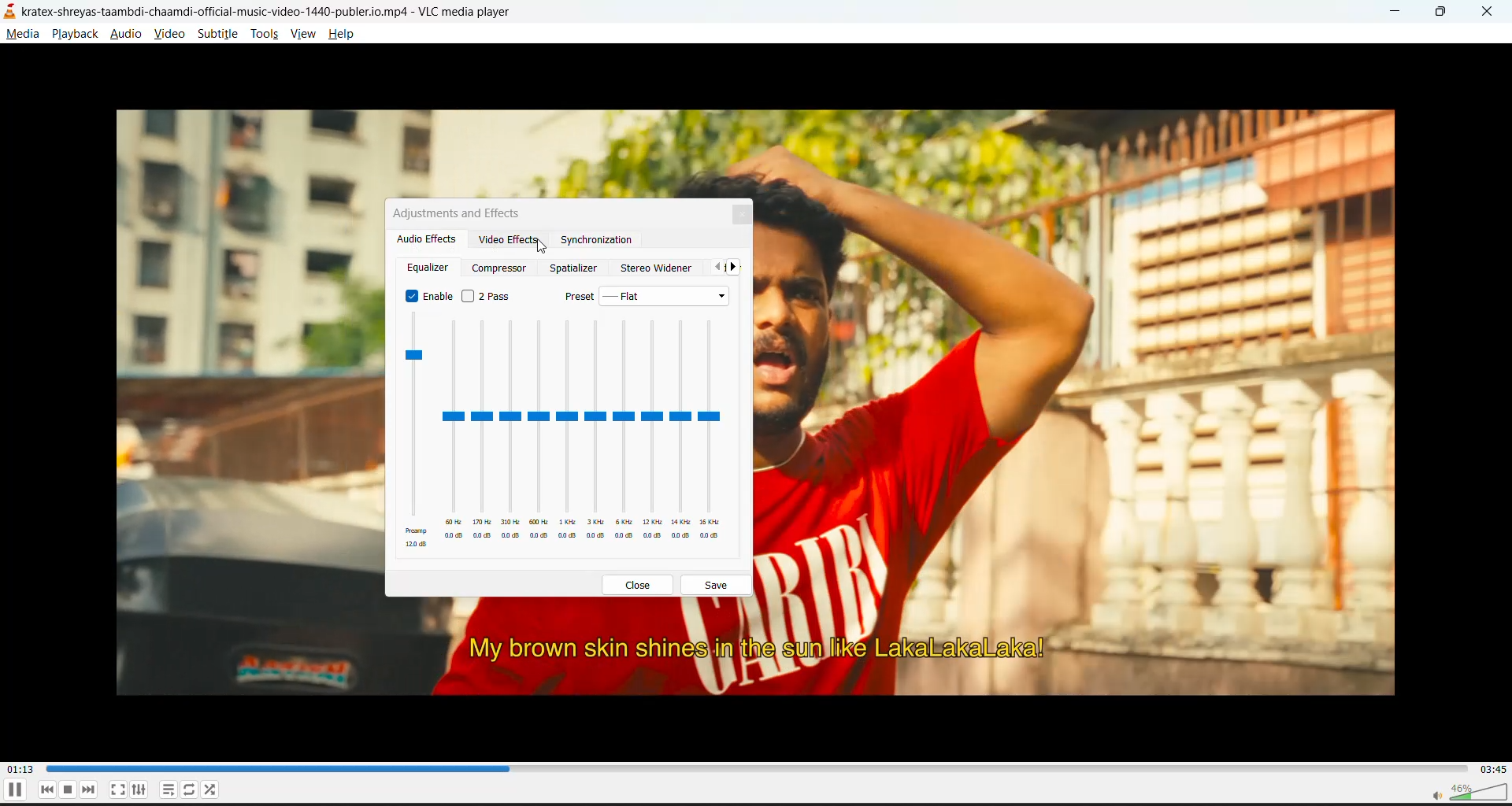 The height and width of the screenshot is (806, 1512). Describe the element at coordinates (510, 430) in the screenshot. I see `` at that location.